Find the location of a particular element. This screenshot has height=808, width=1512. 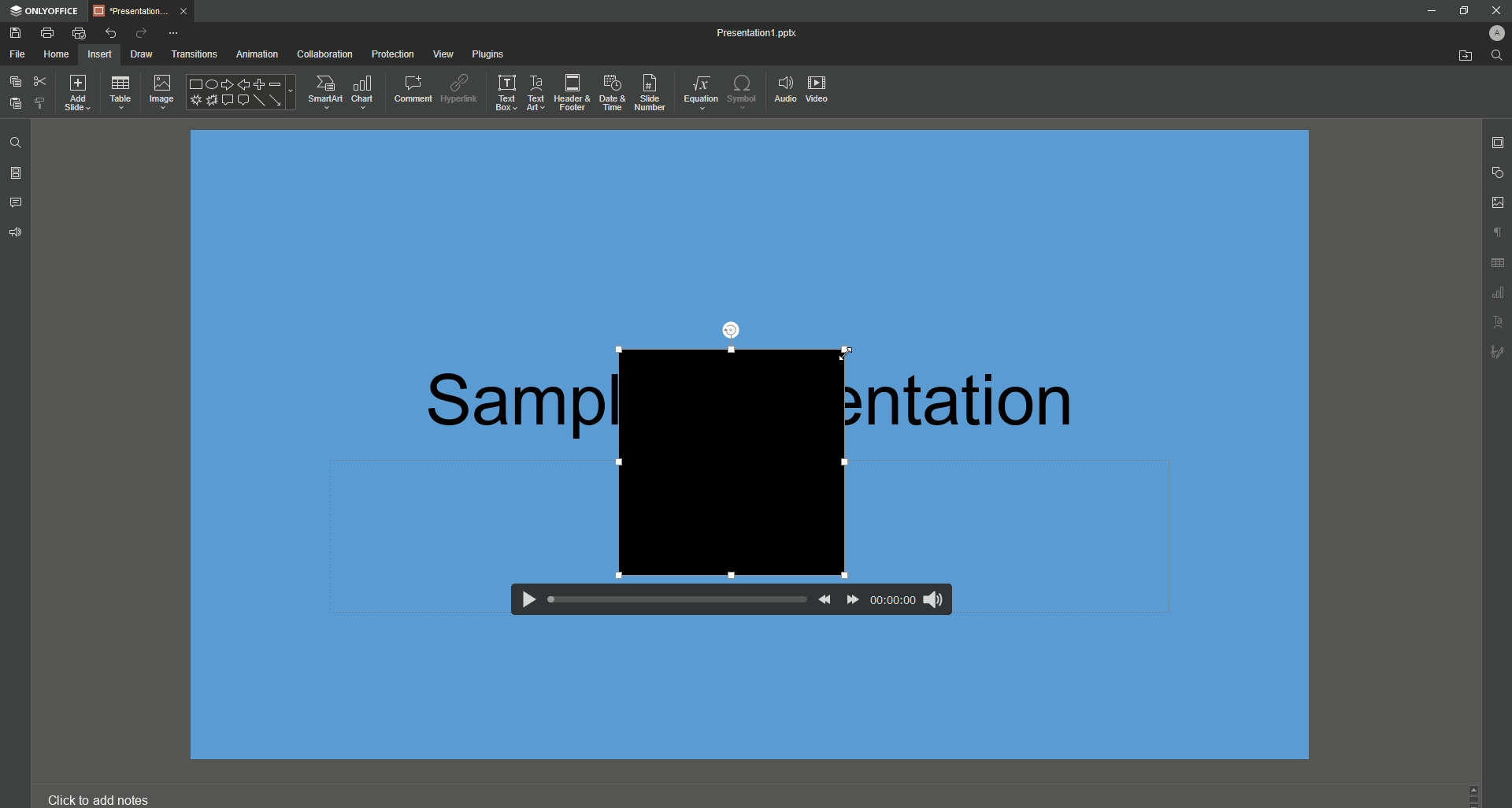

Shape Settings is located at coordinates (1499, 173).